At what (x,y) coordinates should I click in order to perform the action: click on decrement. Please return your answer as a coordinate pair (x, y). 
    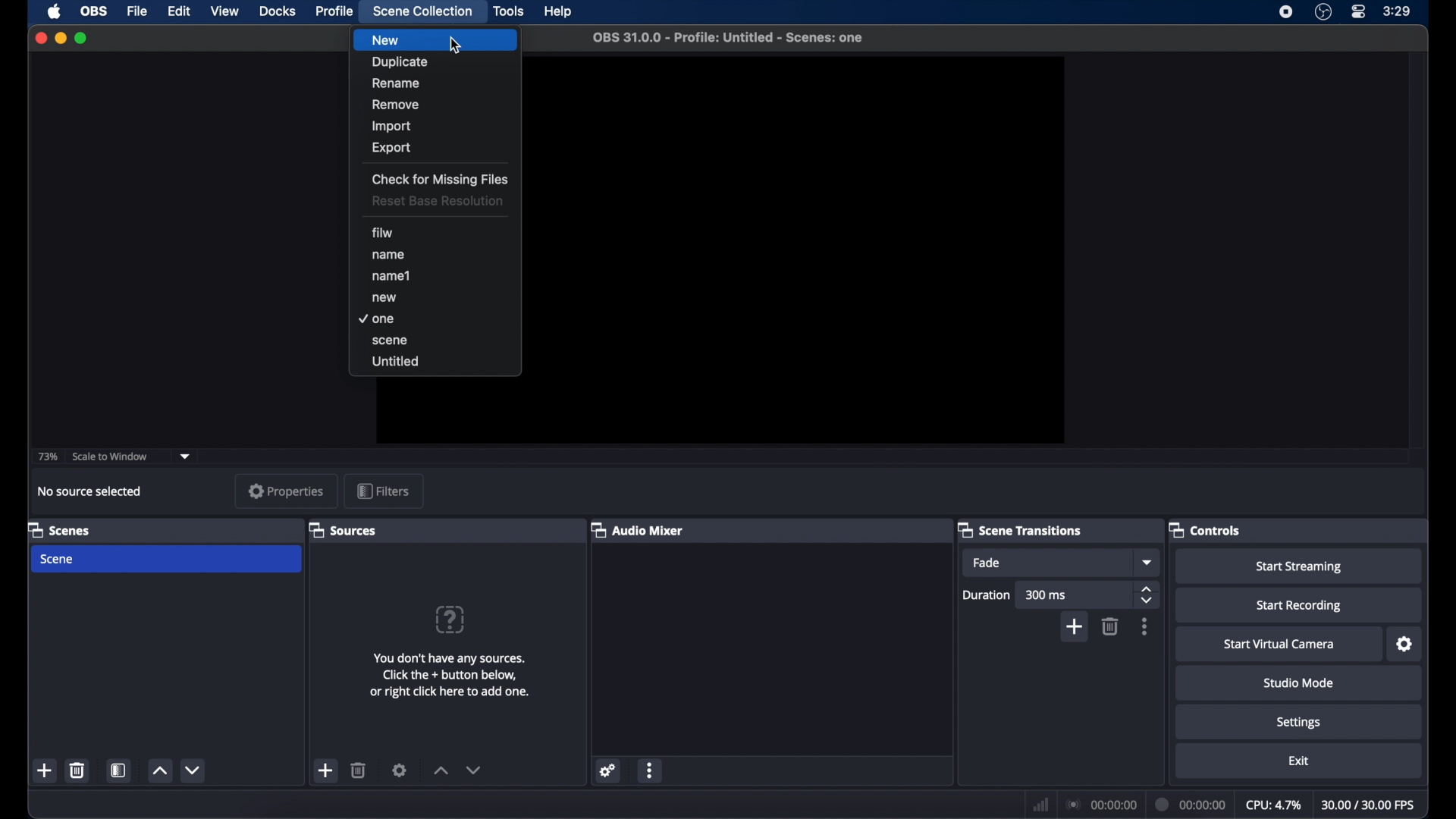
    Looking at the image, I should click on (194, 770).